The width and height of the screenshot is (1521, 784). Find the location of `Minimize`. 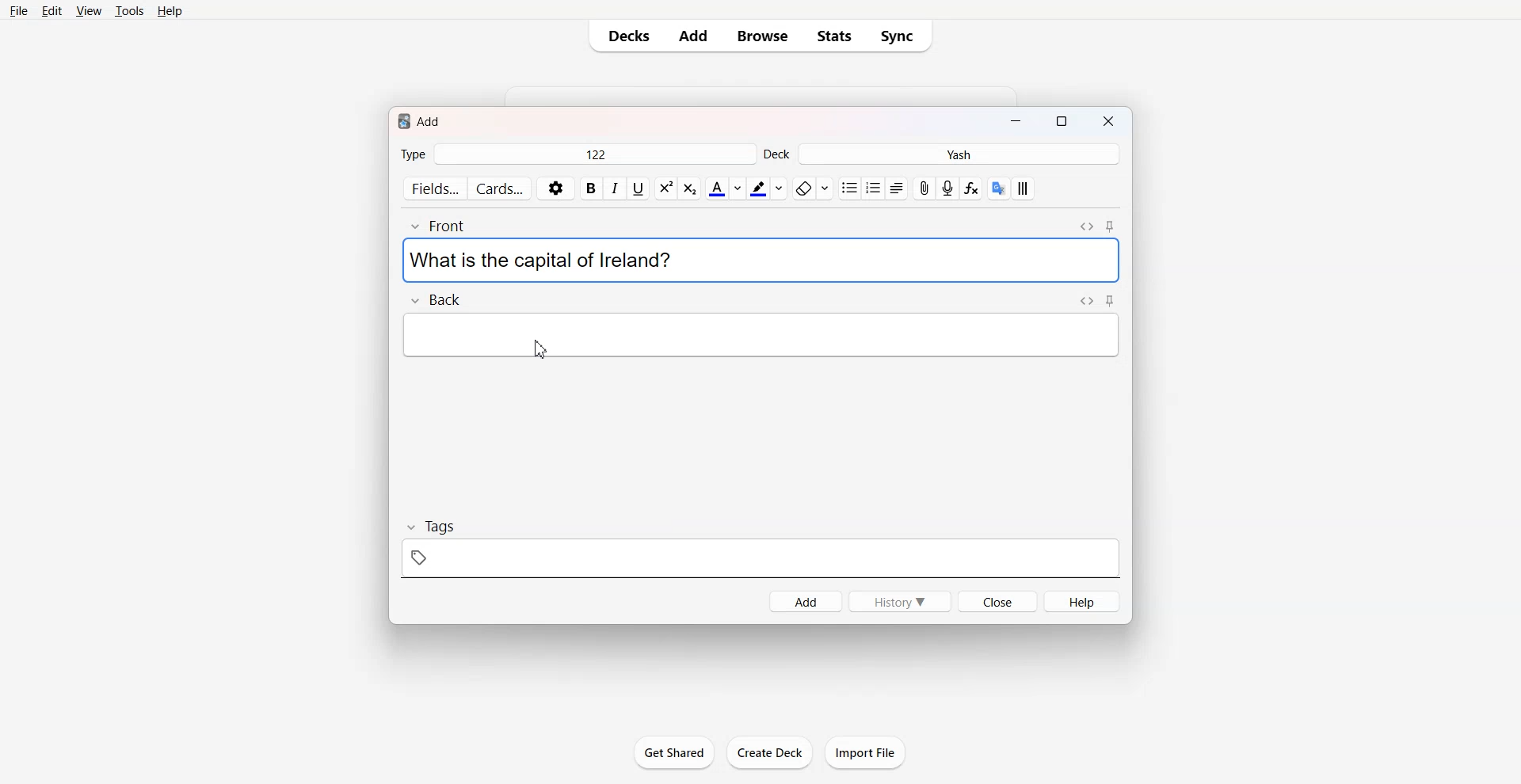

Minimize is located at coordinates (1015, 123).